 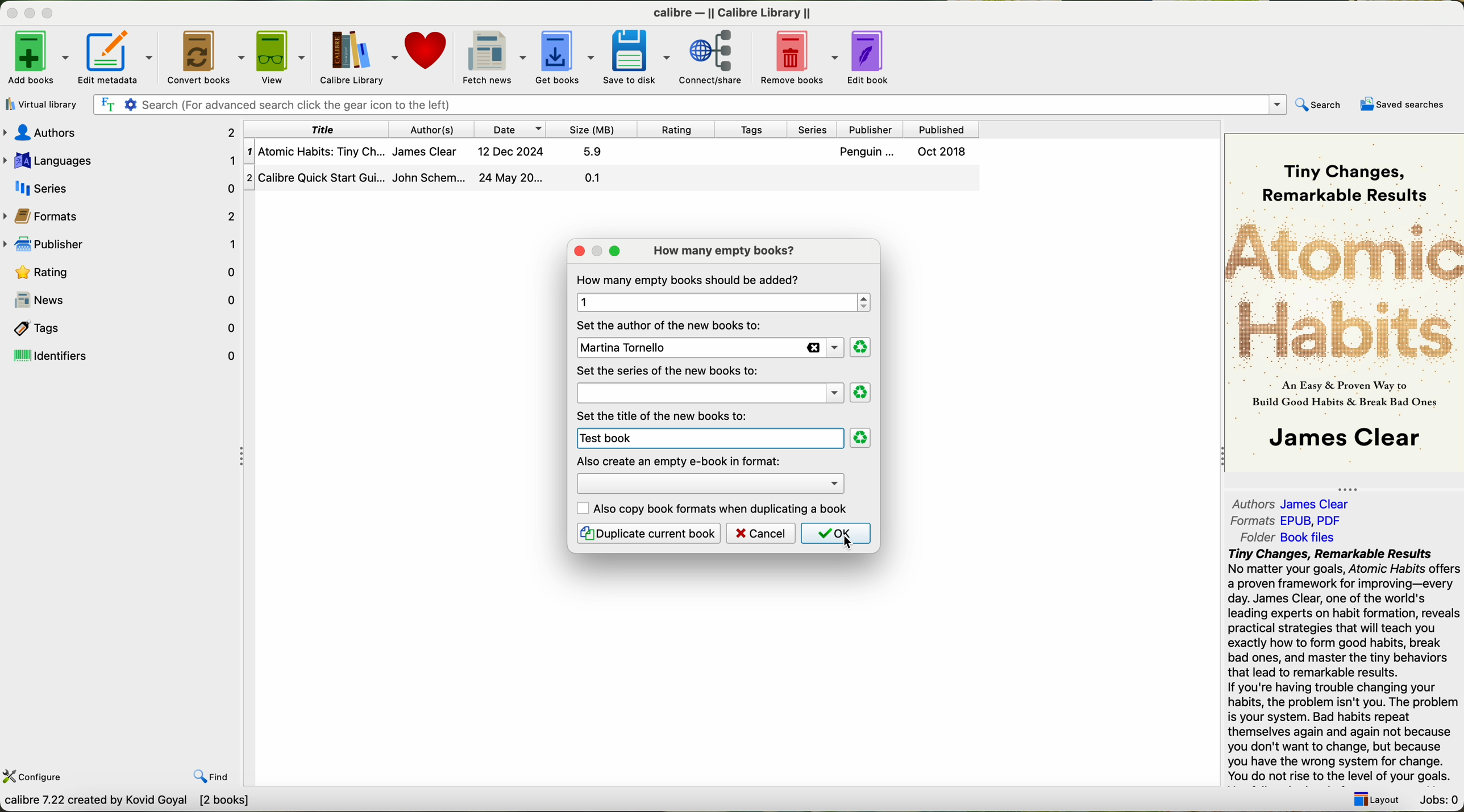 What do you see at coordinates (759, 129) in the screenshot?
I see `tags` at bounding box center [759, 129].